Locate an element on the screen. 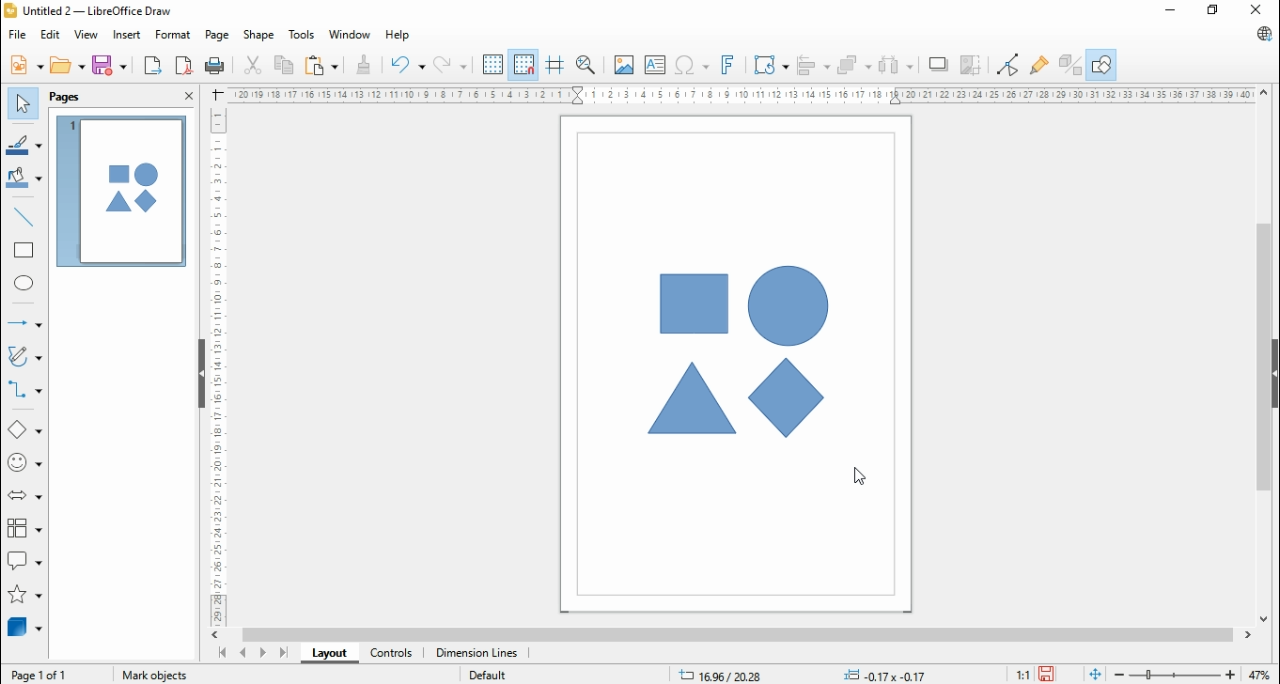 The height and width of the screenshot is (684, 1280). help is located at coordinates (397, 36).